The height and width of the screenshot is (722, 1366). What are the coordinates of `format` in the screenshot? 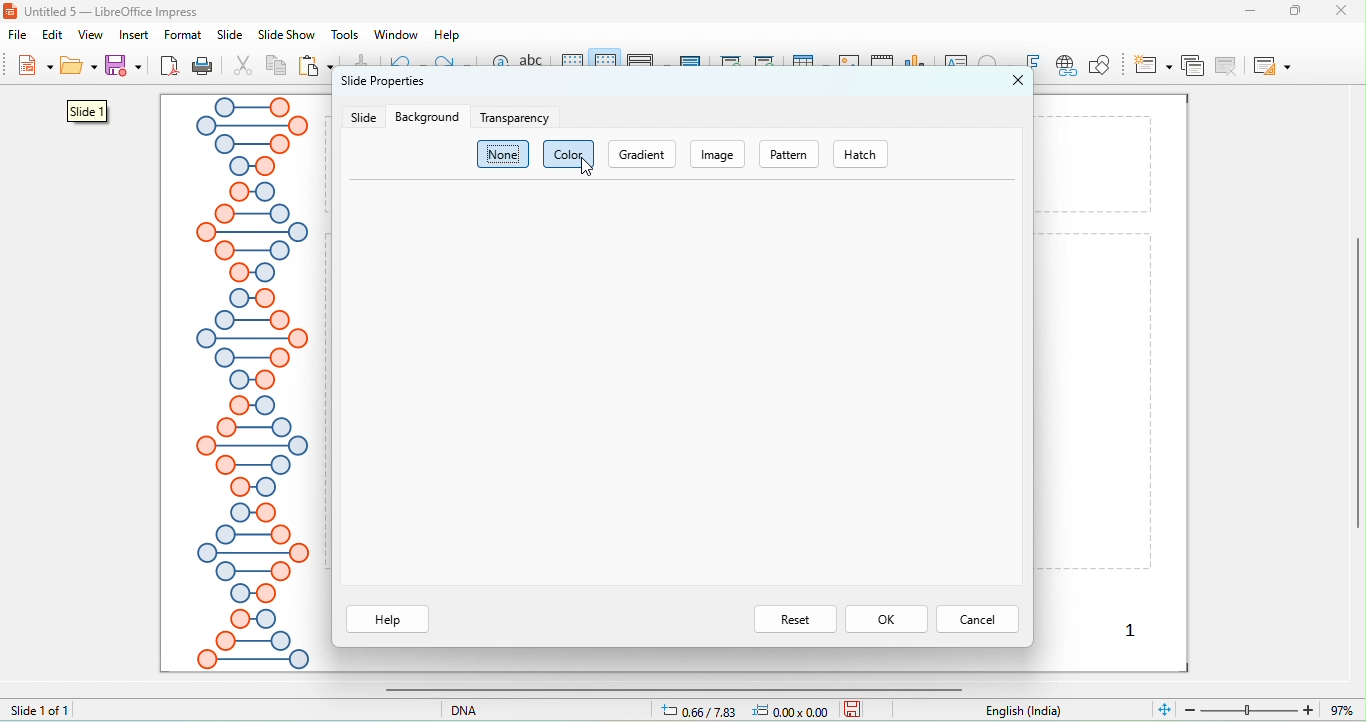 It's located at (183, 35).